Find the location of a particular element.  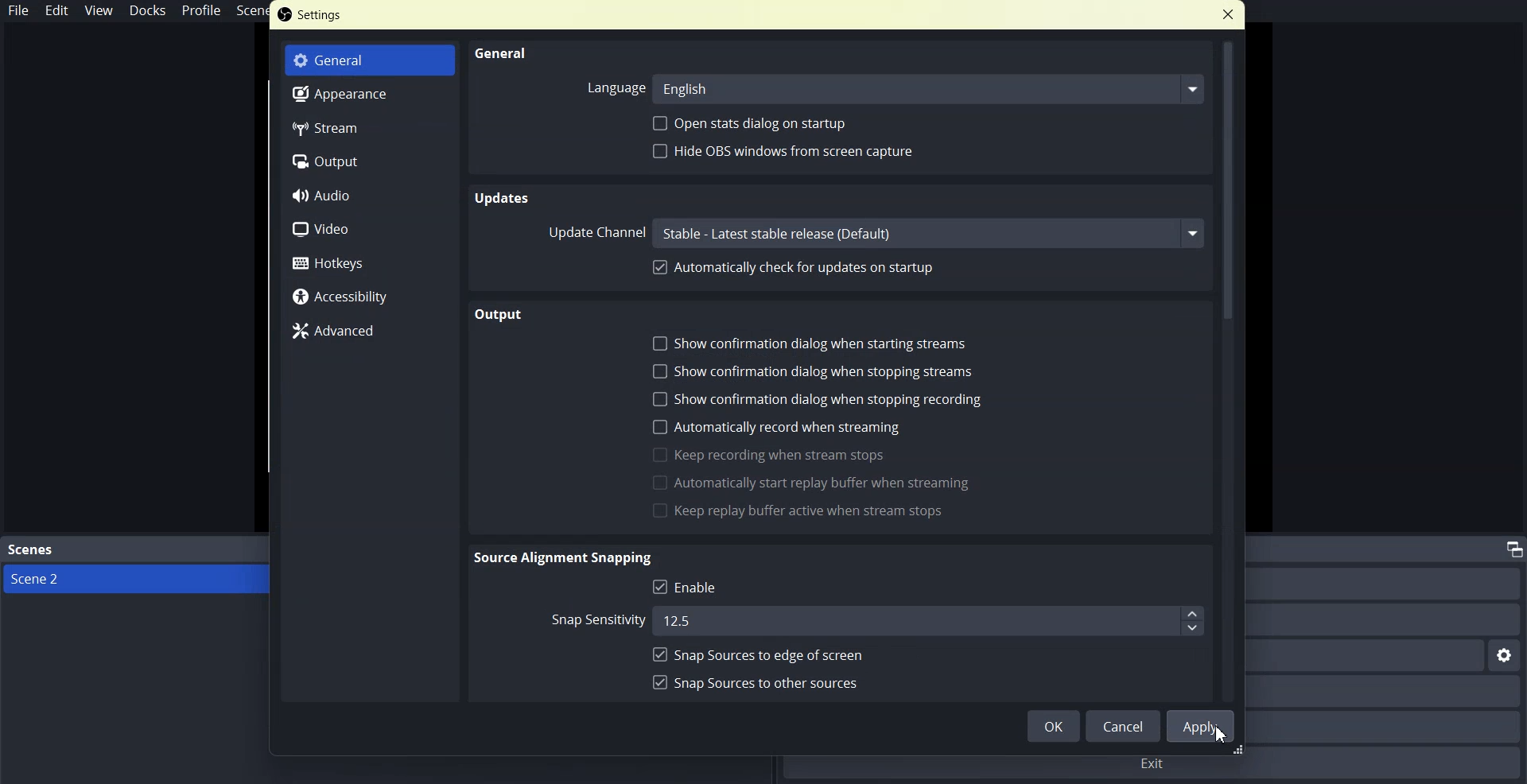

Enable is located at coordinates (689, 587).